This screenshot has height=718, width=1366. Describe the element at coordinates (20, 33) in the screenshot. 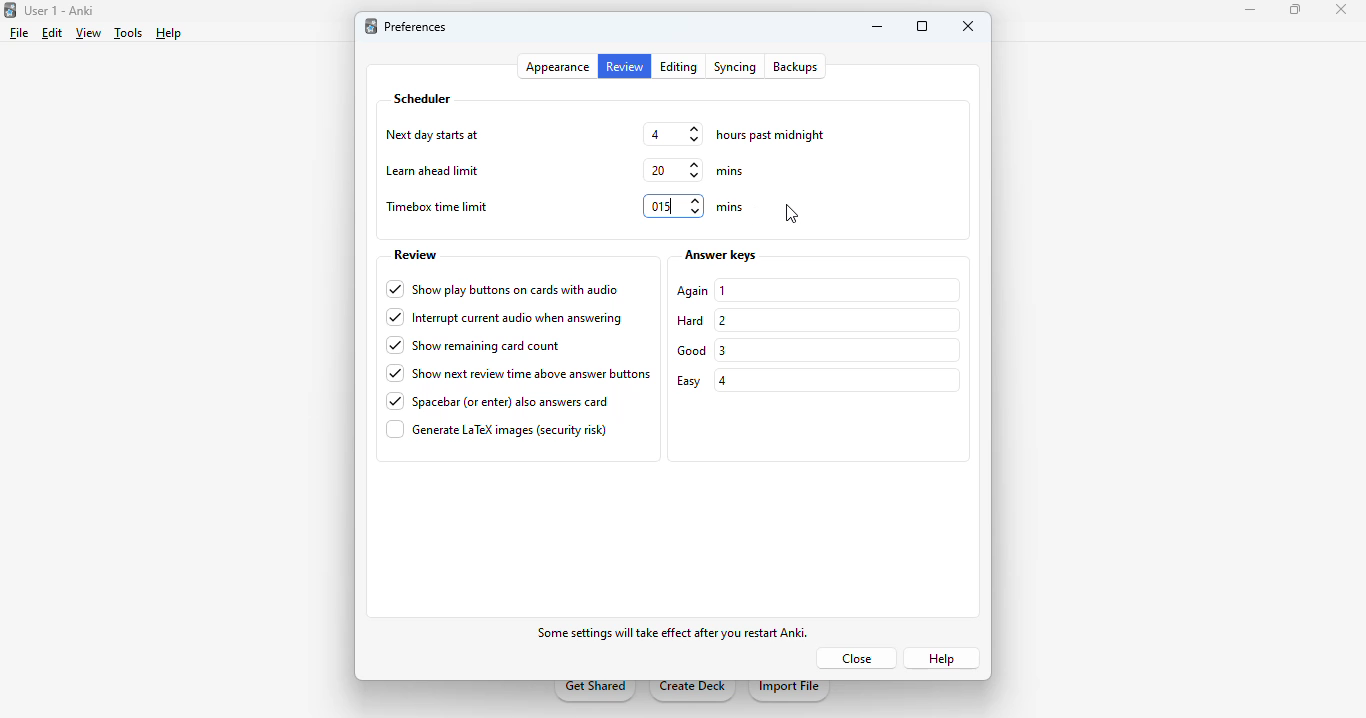

I see `file` at that location.